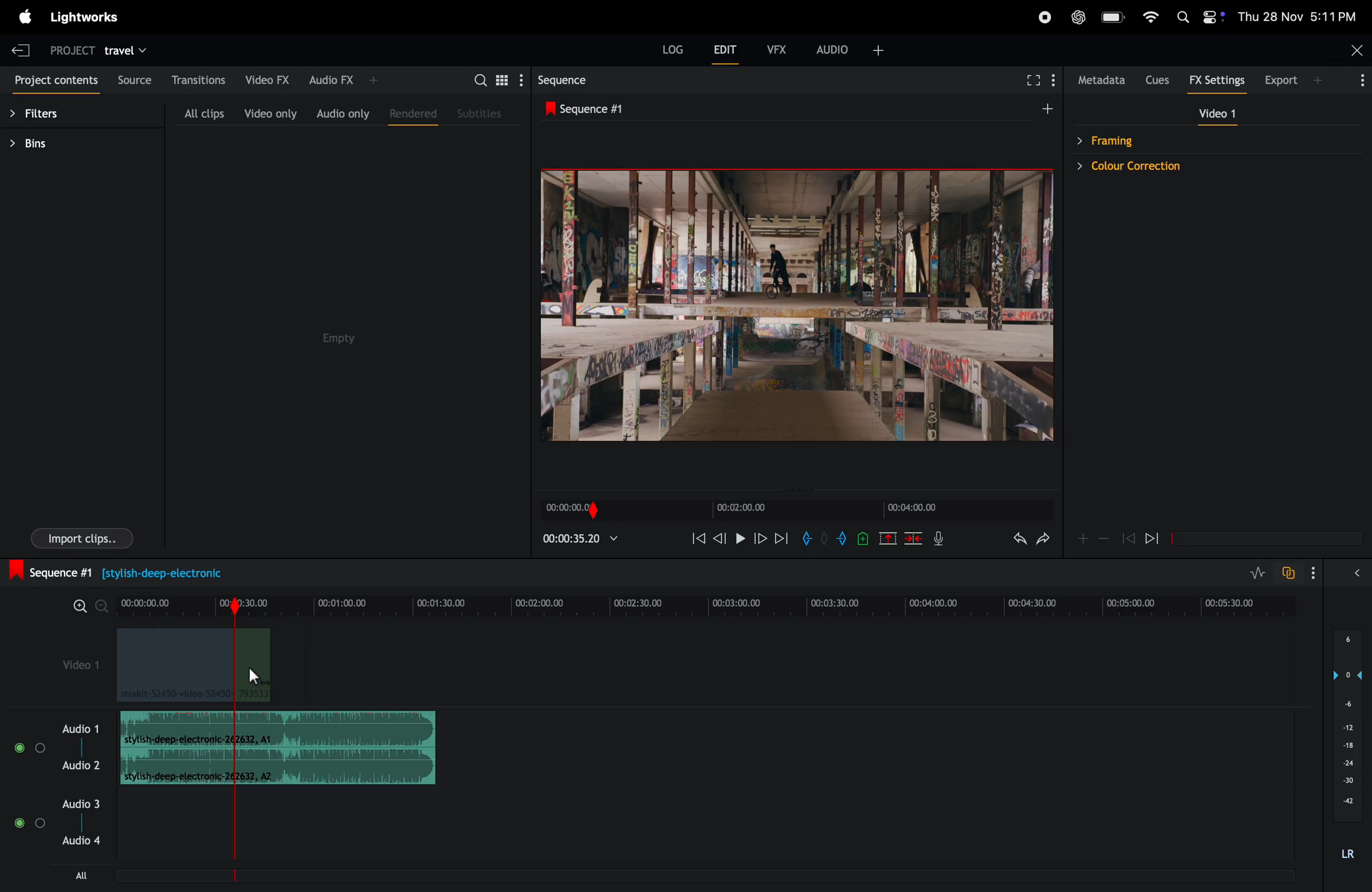  Describe the element at coordinates (943, 540) in the screenshot. I see `mic` at that location.